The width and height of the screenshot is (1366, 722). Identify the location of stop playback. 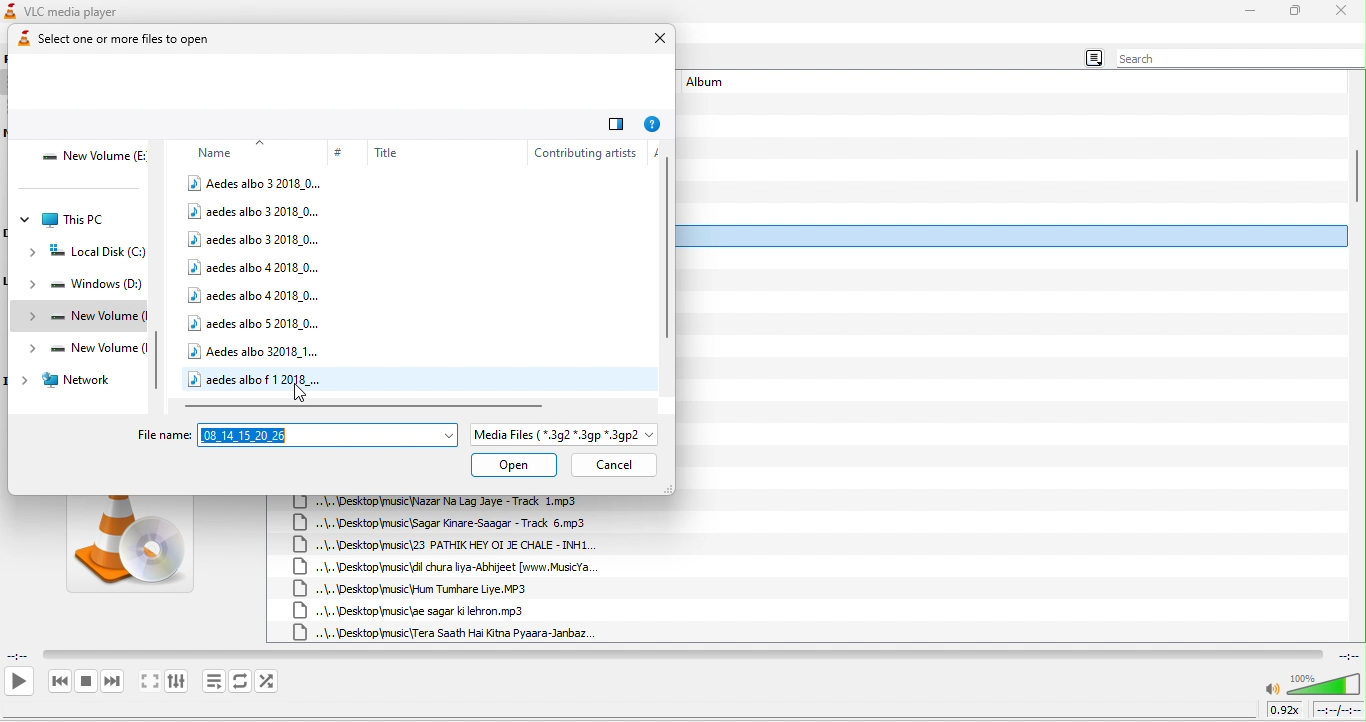
(87, 681).